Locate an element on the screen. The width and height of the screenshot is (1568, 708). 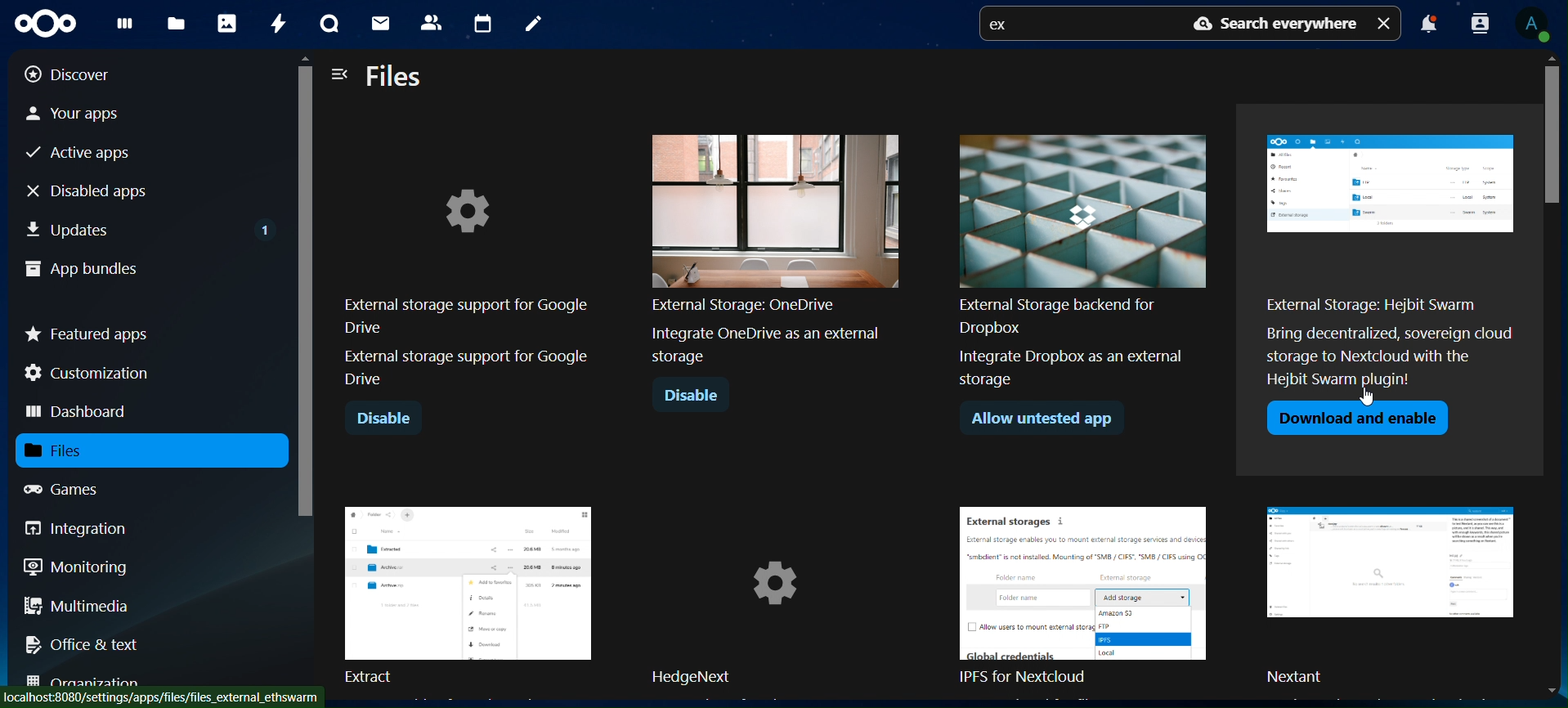
monitoring is located at coordinates (77, 566).